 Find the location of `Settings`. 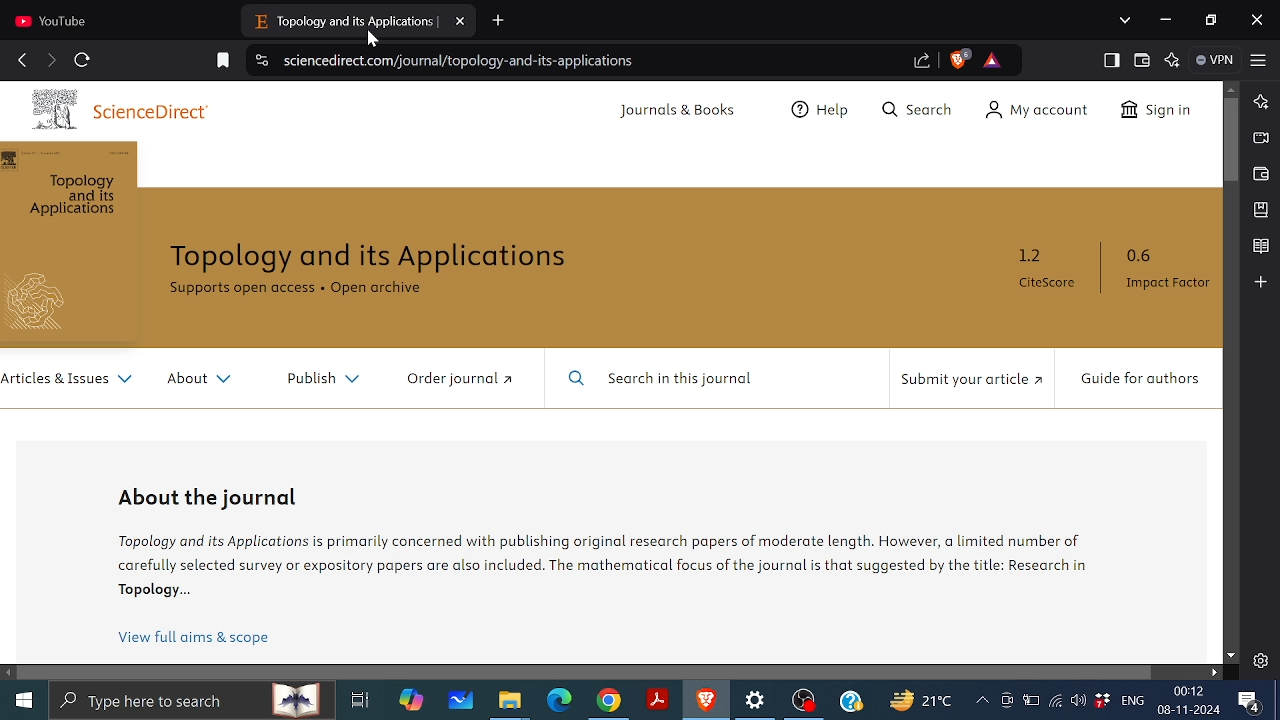

Settings is located at coordinates (757, 701).